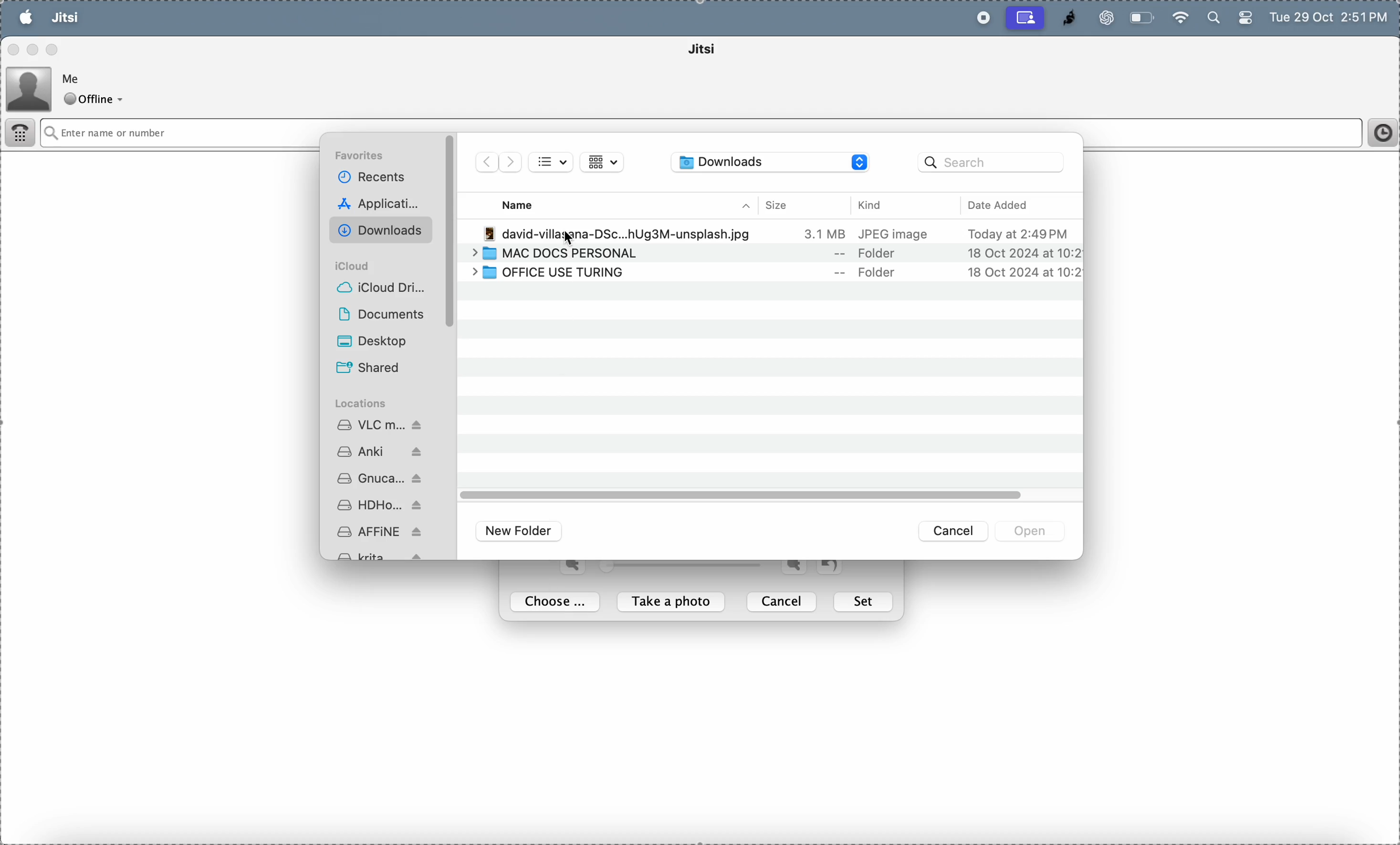 This screenshot has height=845, width=1400. I want to click on jitsi menu, so click(65, 19).